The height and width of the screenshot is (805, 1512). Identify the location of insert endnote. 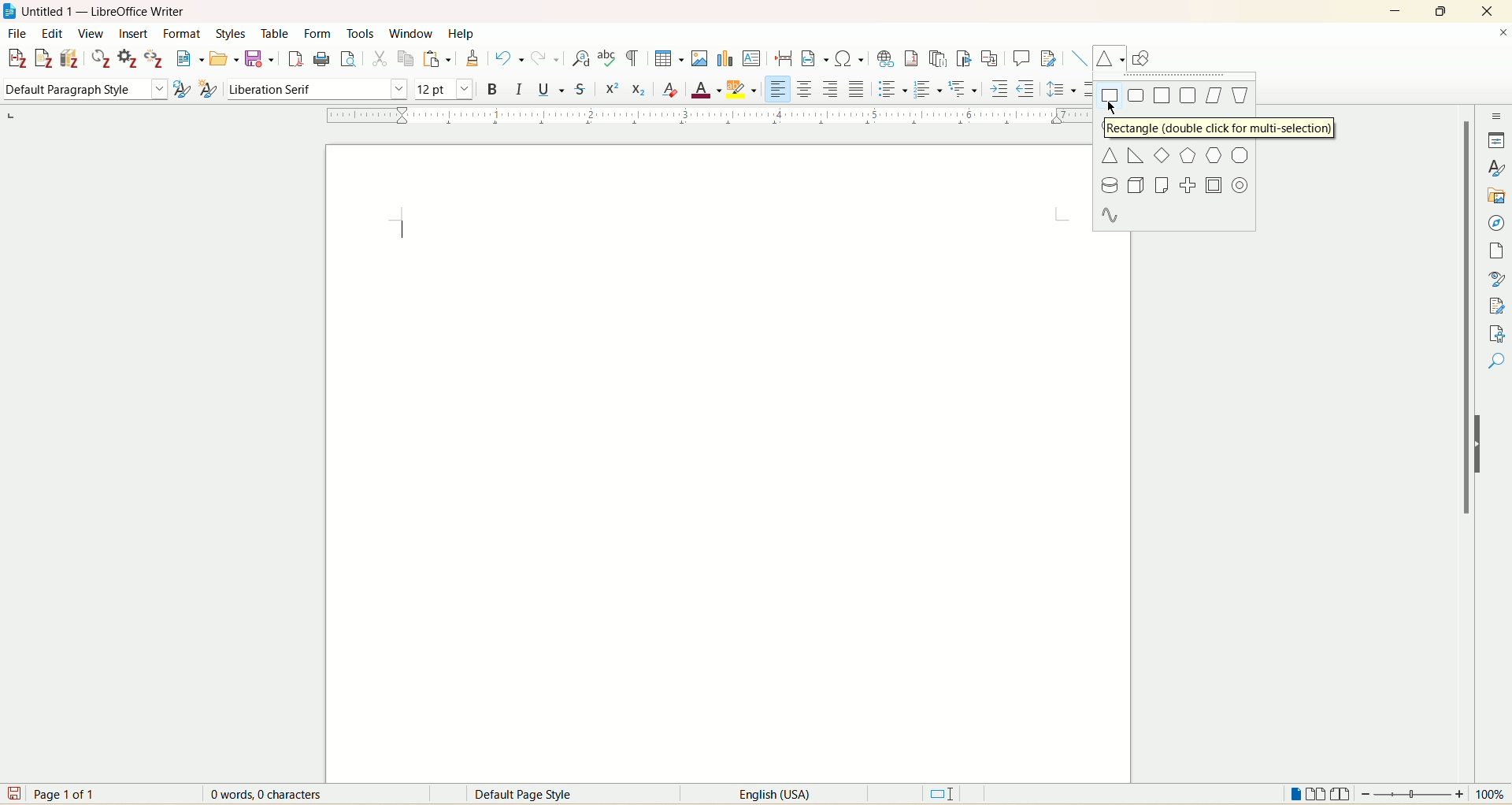
(941, 58).